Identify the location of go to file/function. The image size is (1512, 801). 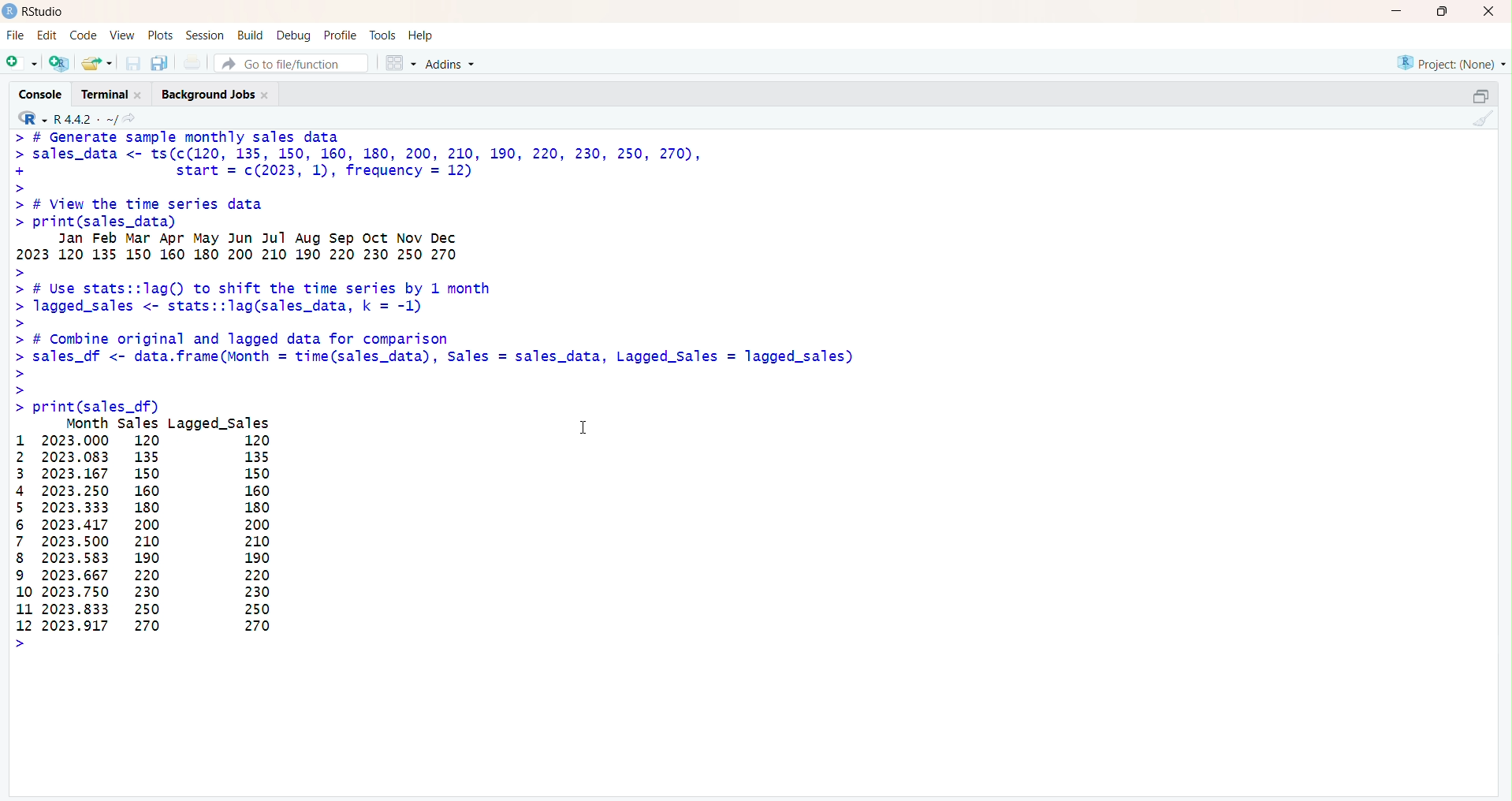
(285, 64).